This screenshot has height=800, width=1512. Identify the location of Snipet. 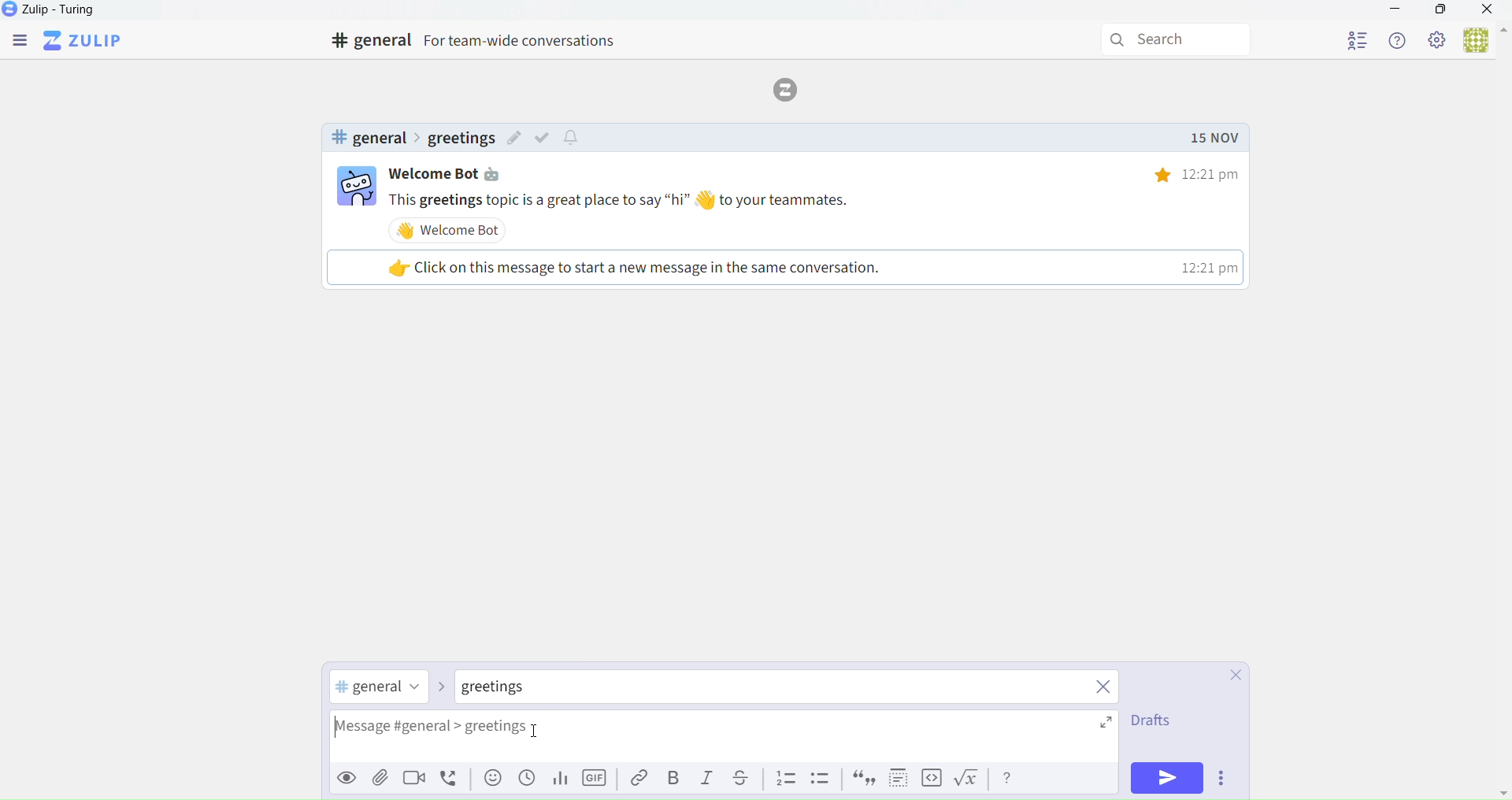
(822, 781).